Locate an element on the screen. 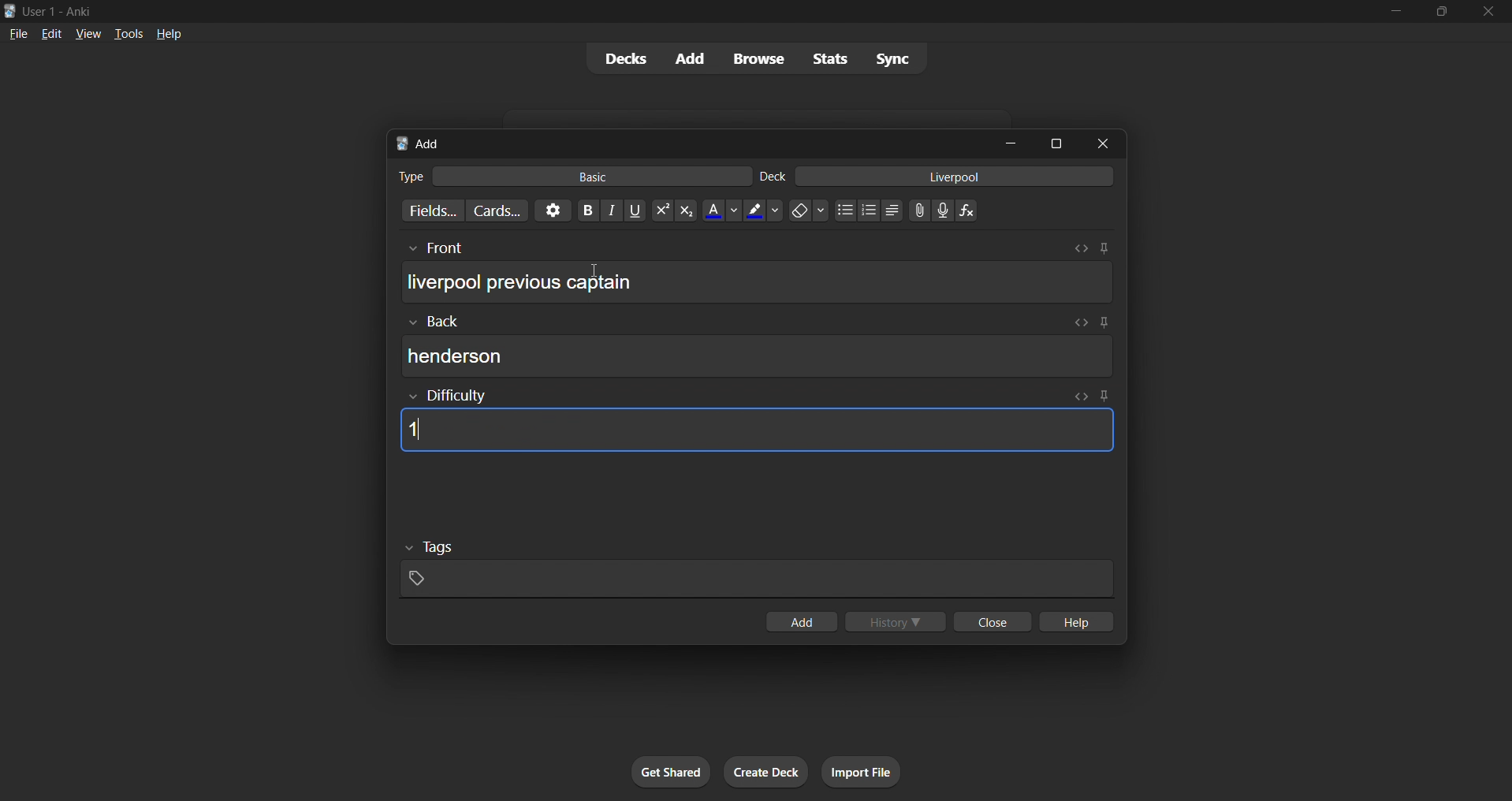  add is located at coordinates (687, 58).